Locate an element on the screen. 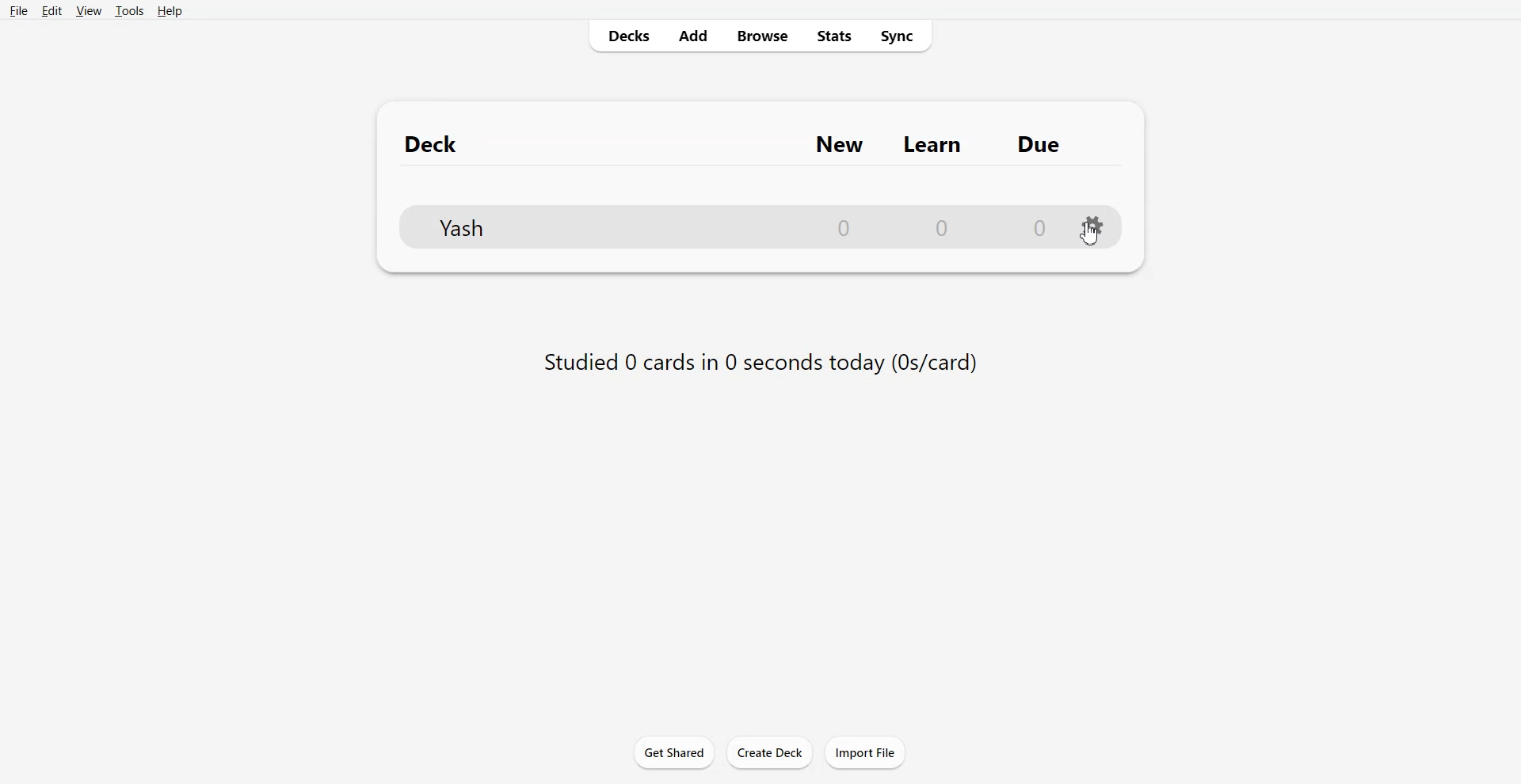 This screenshot has height=784, width=1521. Decks is located at coordinates (625, 36).